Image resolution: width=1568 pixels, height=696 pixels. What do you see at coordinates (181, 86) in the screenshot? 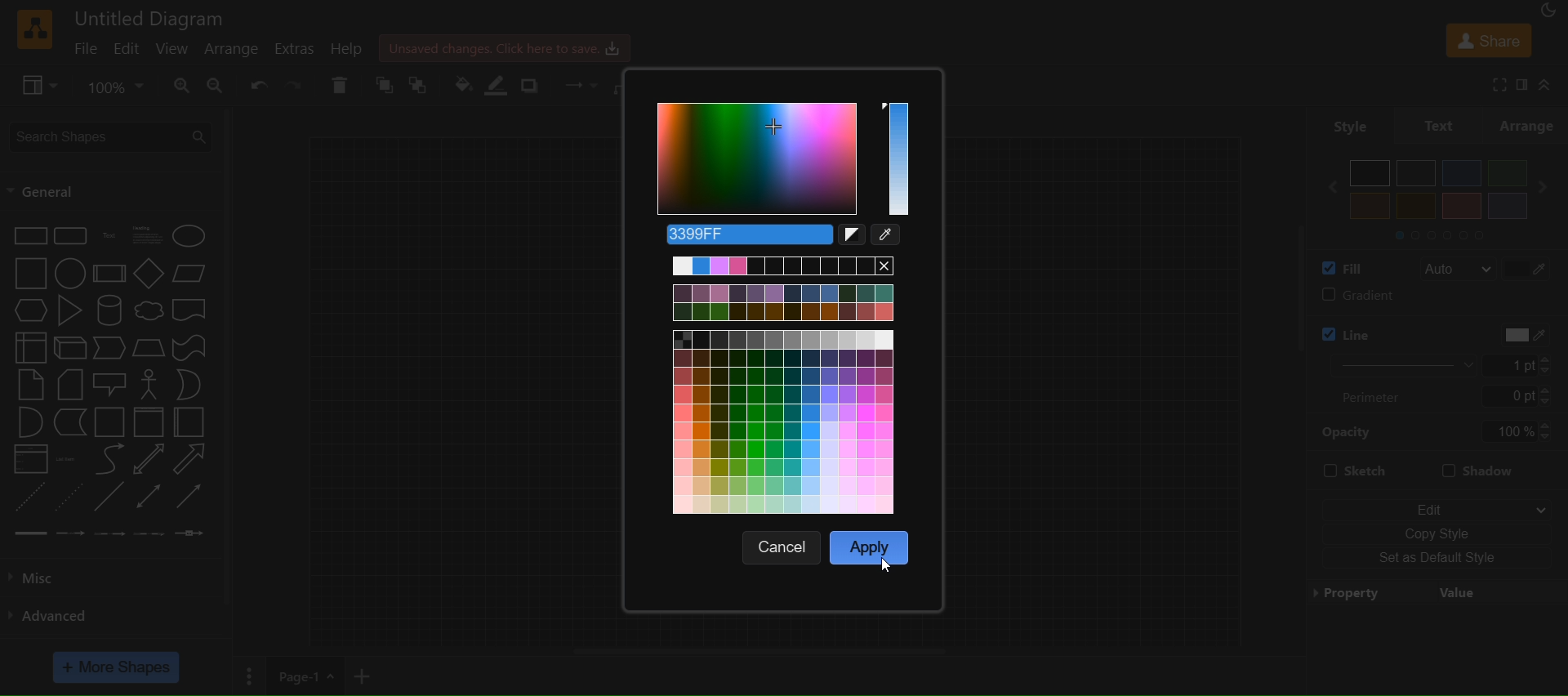
I see `zoom in` at bounding box center [181, 86].